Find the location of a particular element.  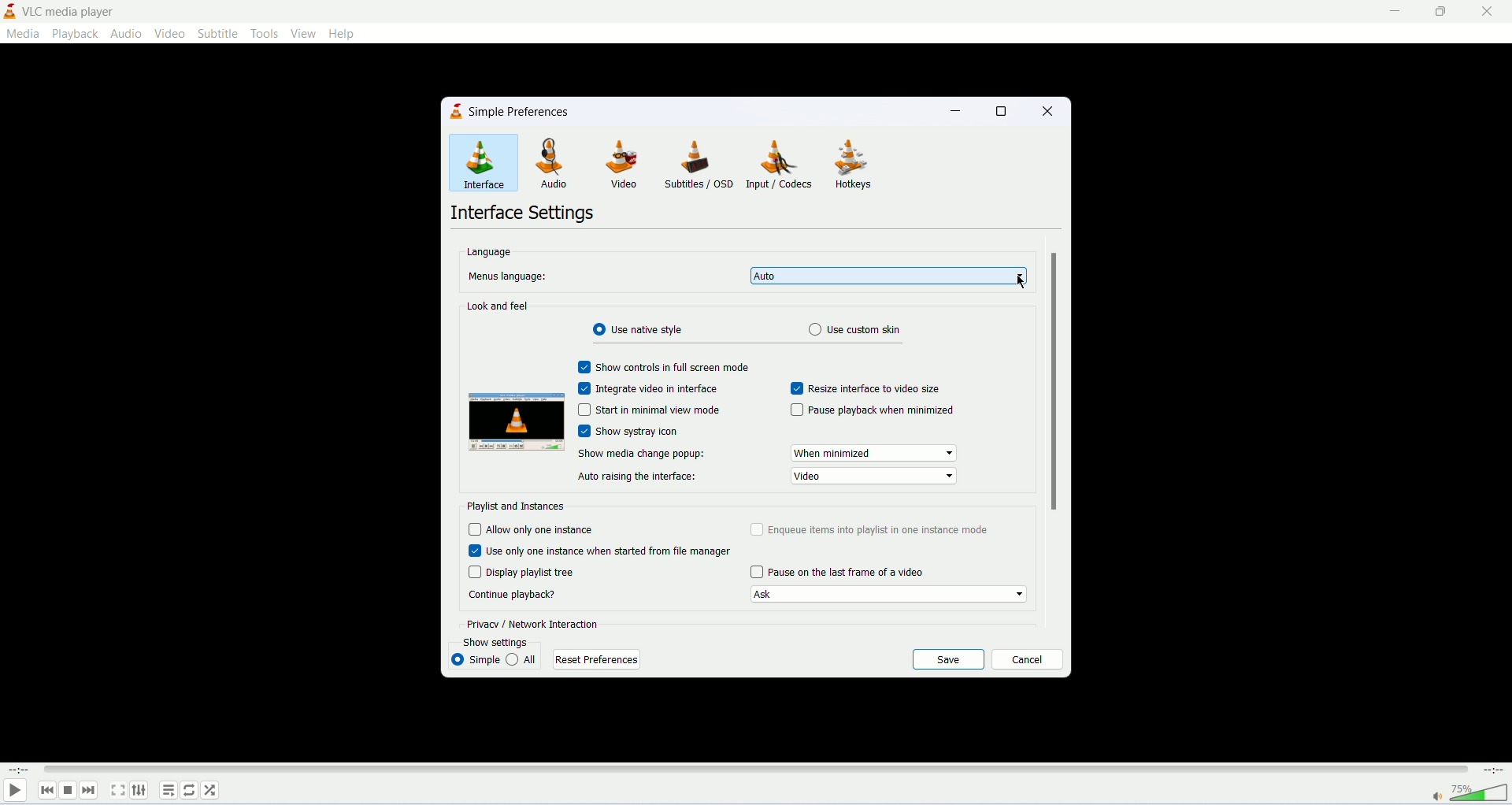

pause on last frame of video is located at coordinates (837, 573).